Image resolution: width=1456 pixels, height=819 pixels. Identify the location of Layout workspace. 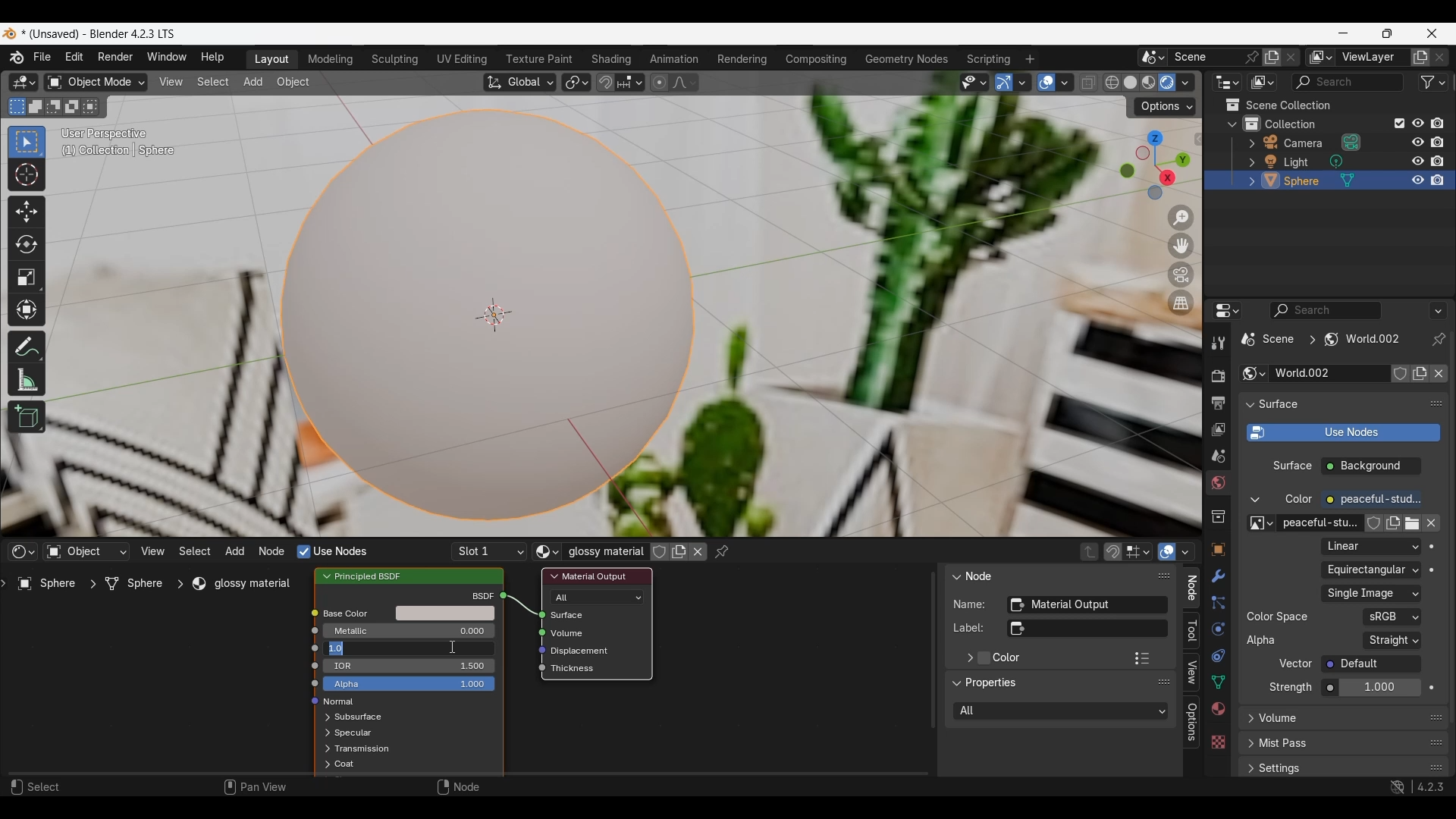
(271, 60).